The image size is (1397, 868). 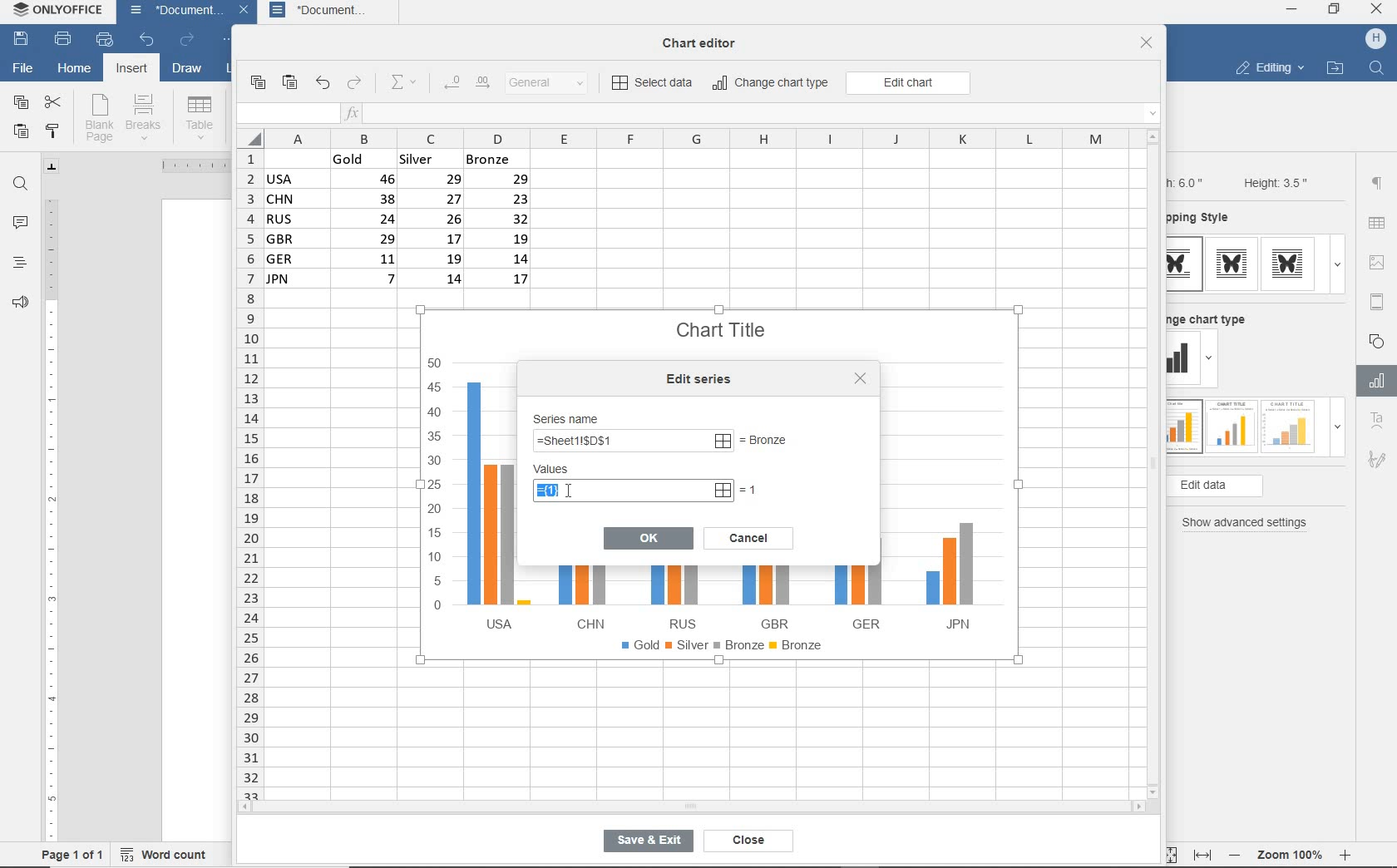 What do you see at coordinates (1376, 301) in the screenshot?
I see `header & footer` at bounding box center [1376, 301].